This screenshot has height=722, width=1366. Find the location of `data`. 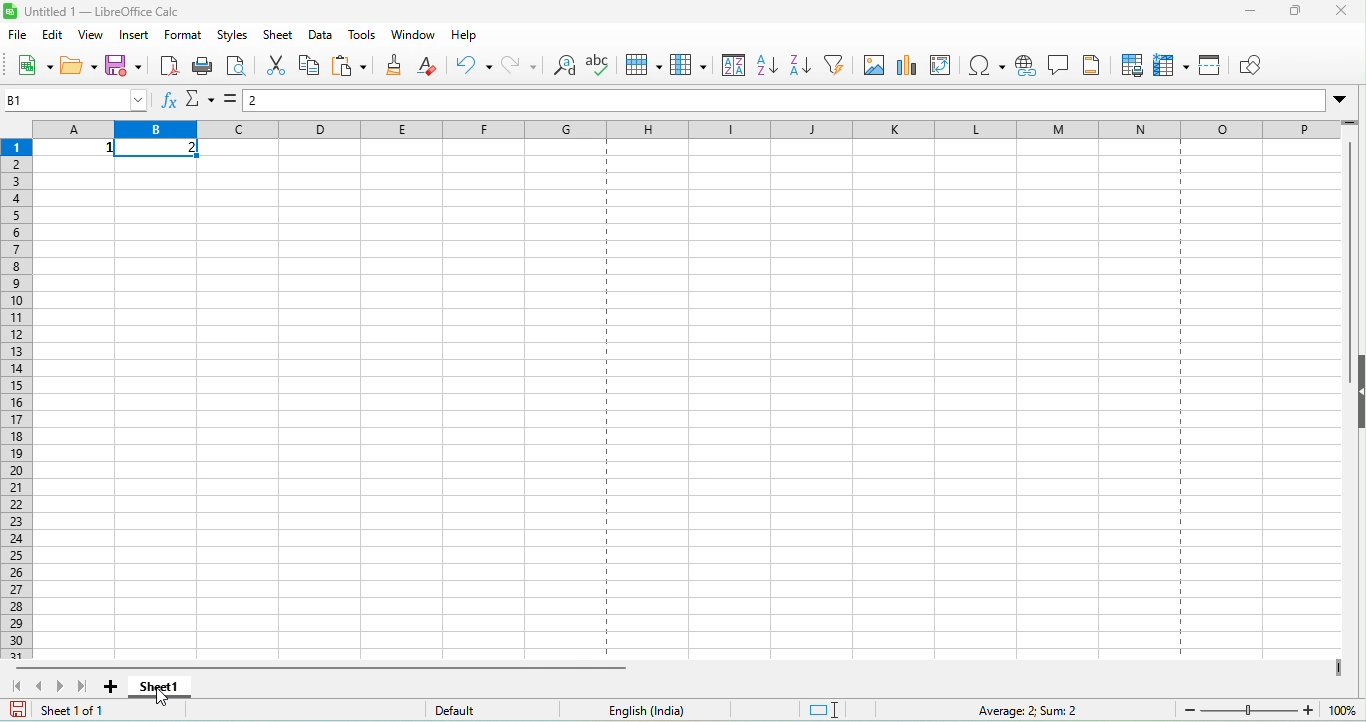

data is located at coordinates (319, 33).